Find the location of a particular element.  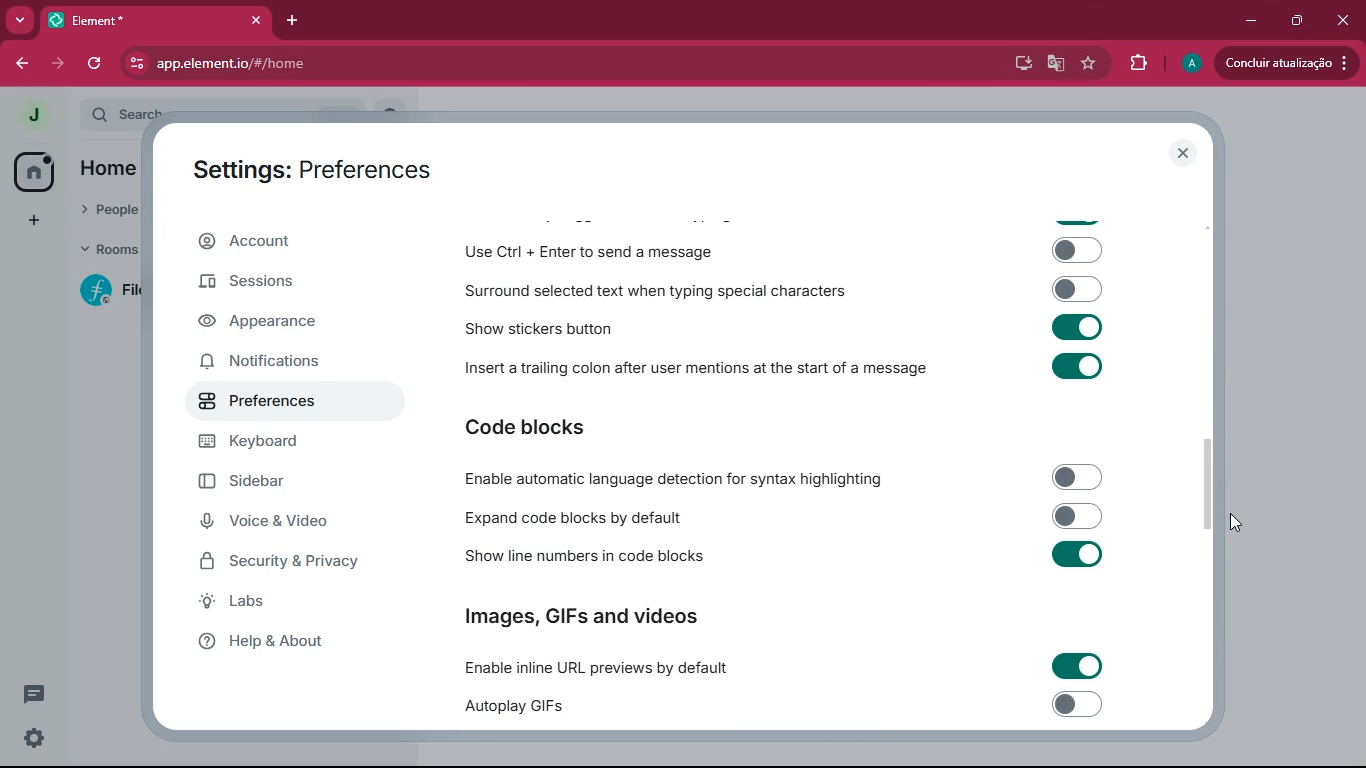

Enable automatic language detection for syntax highlighting is located at coordinates (777, 478).